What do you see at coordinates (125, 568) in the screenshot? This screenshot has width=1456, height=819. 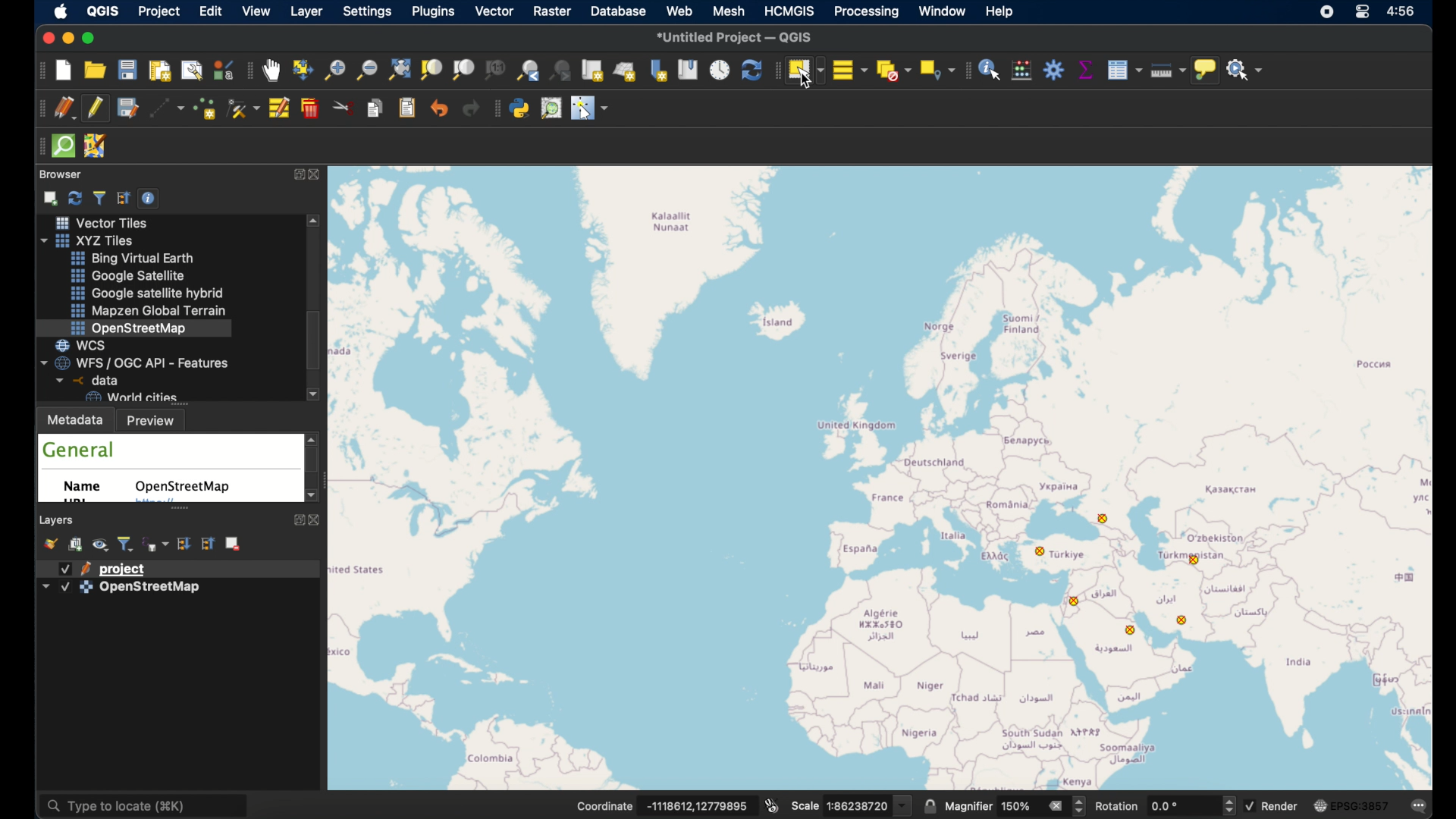 I see `project layer` at bounding box center [125, 568].